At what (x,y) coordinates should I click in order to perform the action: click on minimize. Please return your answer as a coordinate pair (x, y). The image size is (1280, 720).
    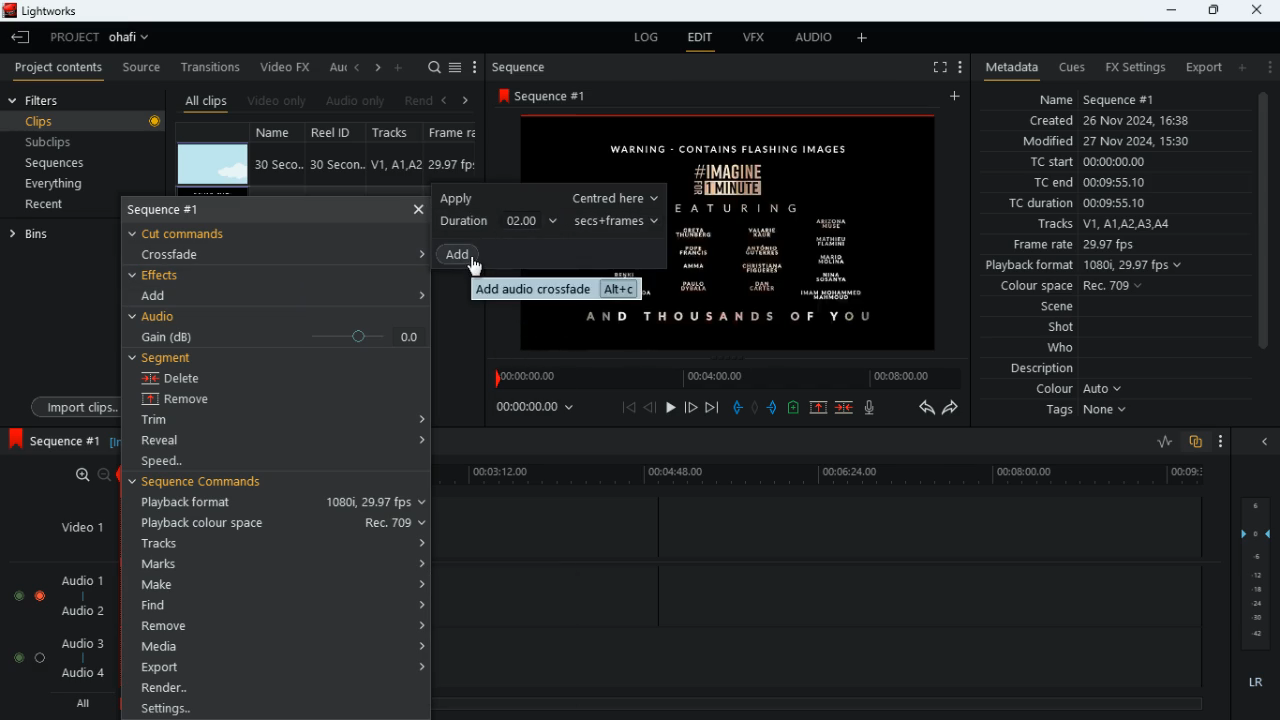
    Looking at the image, I should click on (1168, 10).